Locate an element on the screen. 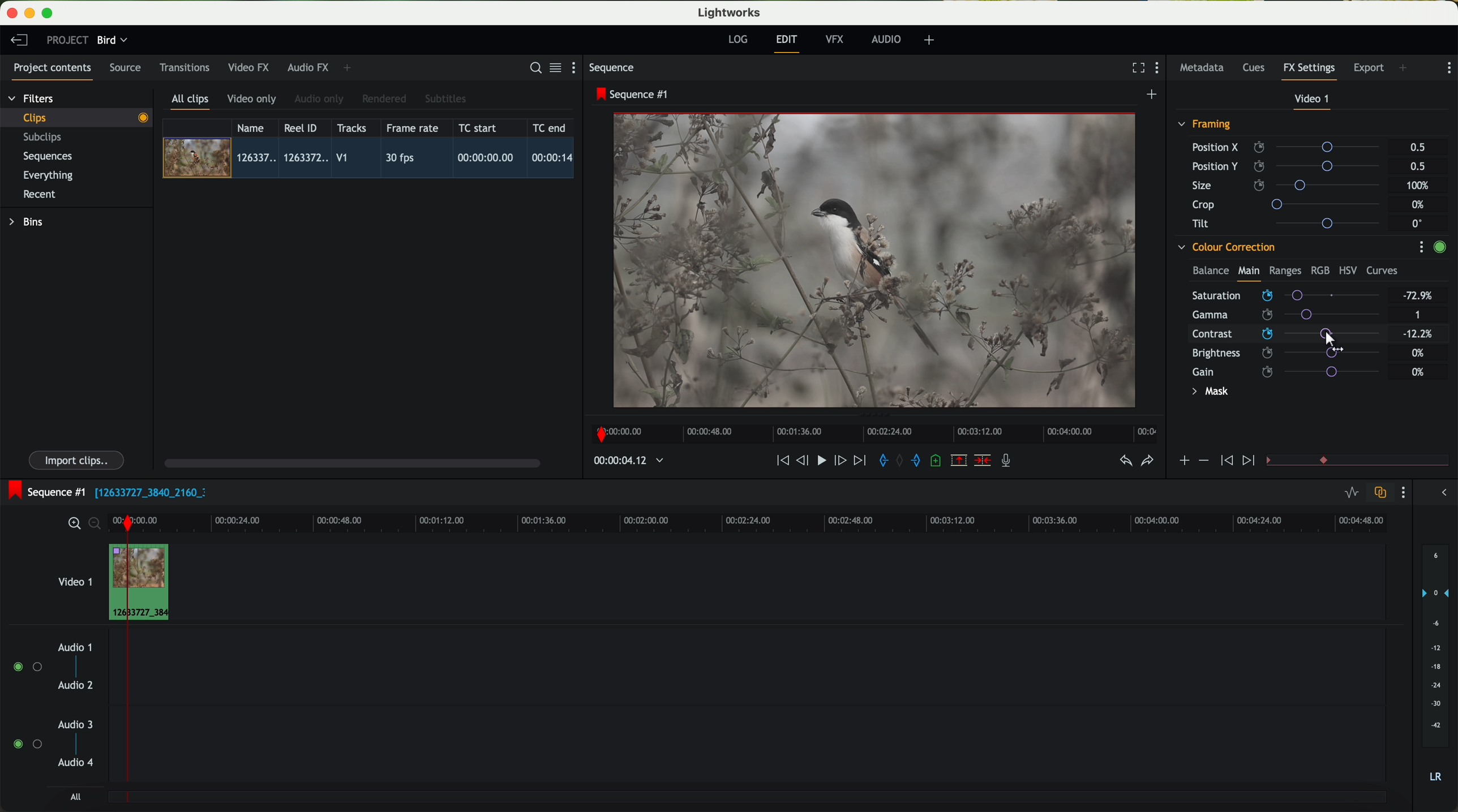  mask is located at coordinates (1208, 393).